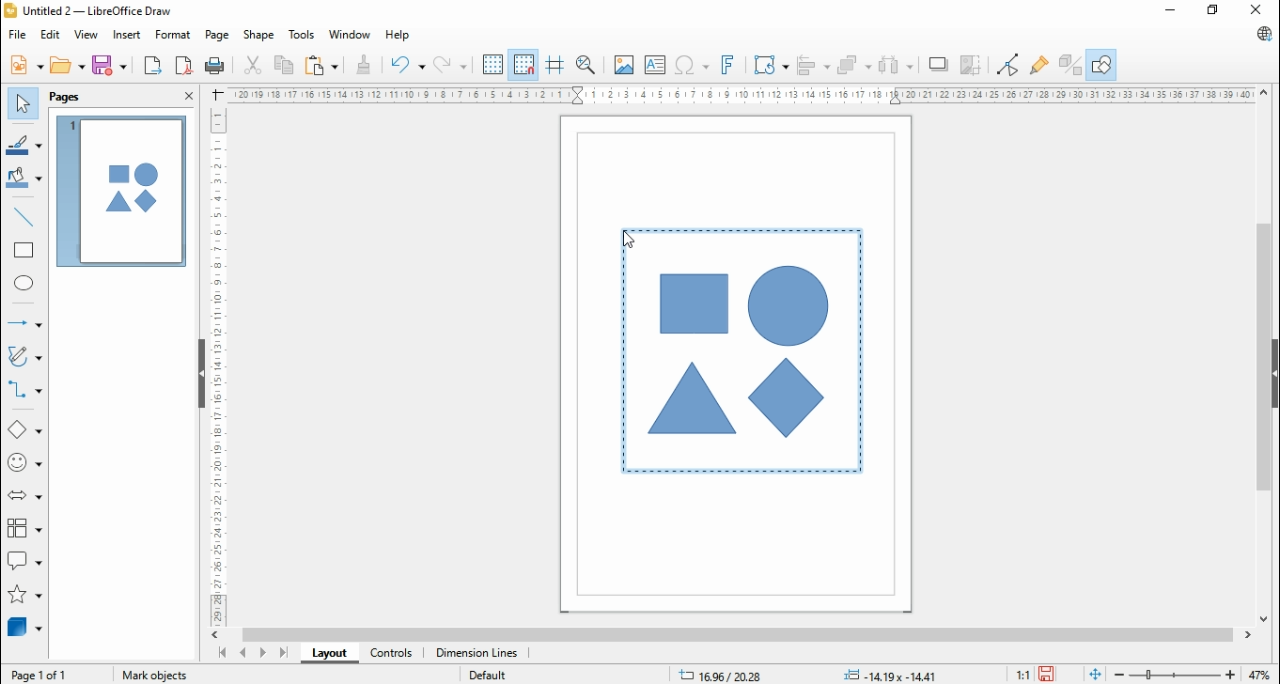 This screenshot has width=1280, height=684. What do you see at coordinates (1213, 10) in the screenshot?
I see `restore` at bounding box center [1213, 10].